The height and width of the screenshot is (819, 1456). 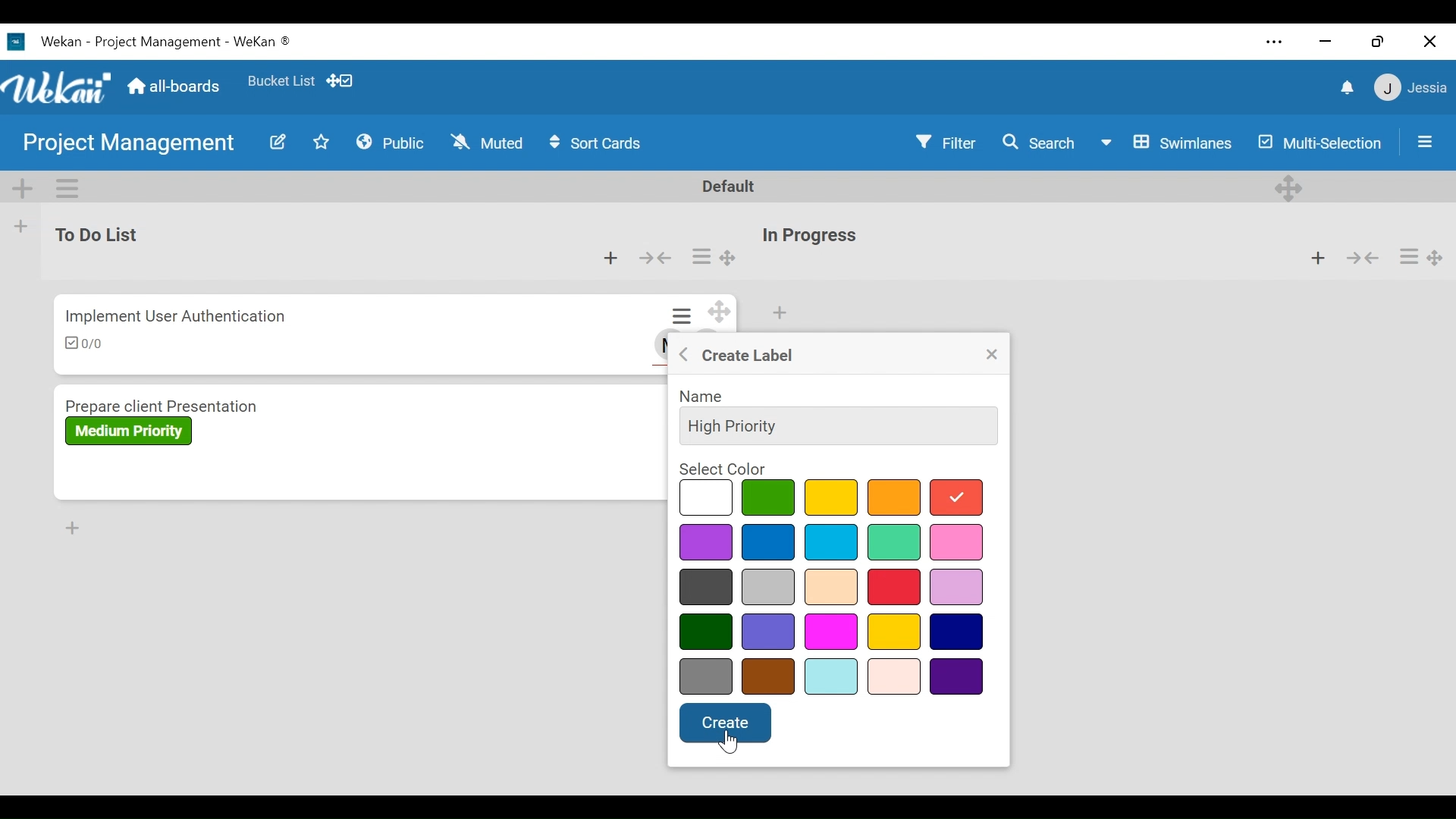 What do you see at coordinates (281, 78) in the screenshot?
I see `Favorites` at bounding box center [281, 78].